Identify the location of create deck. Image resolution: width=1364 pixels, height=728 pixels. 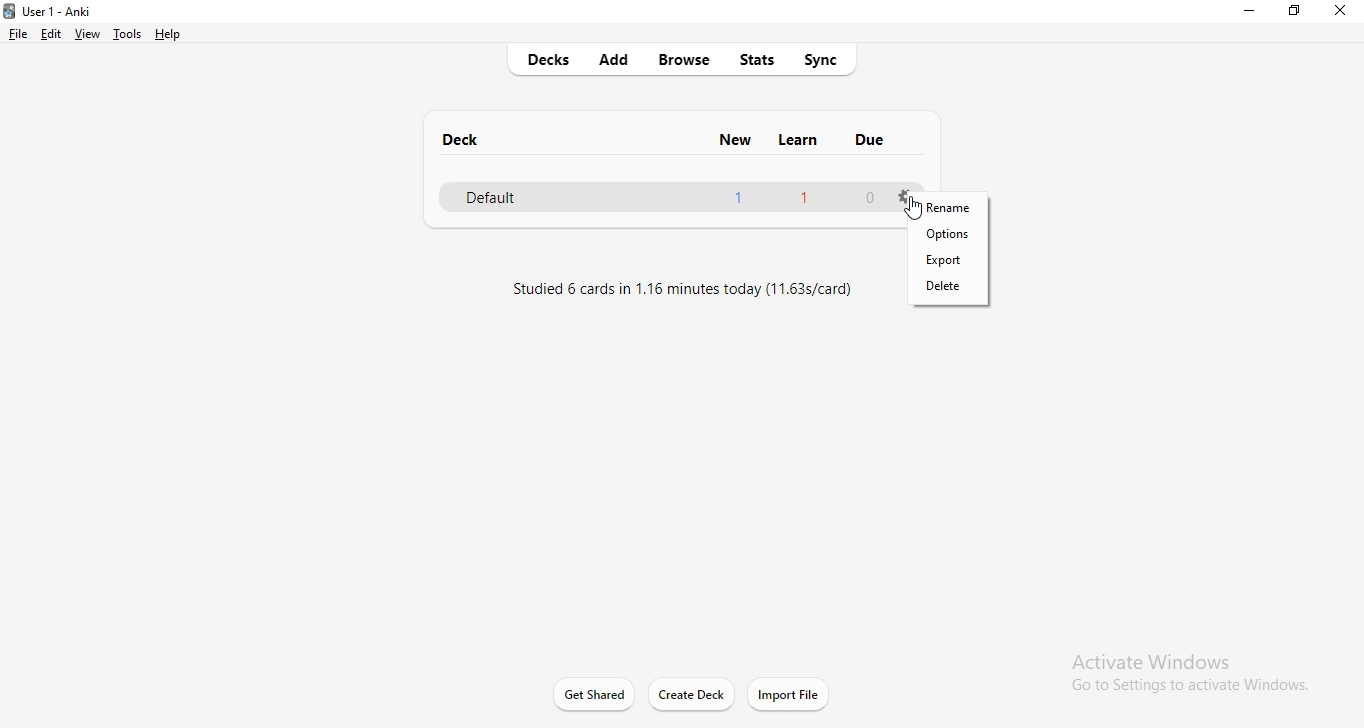
(702, 693).